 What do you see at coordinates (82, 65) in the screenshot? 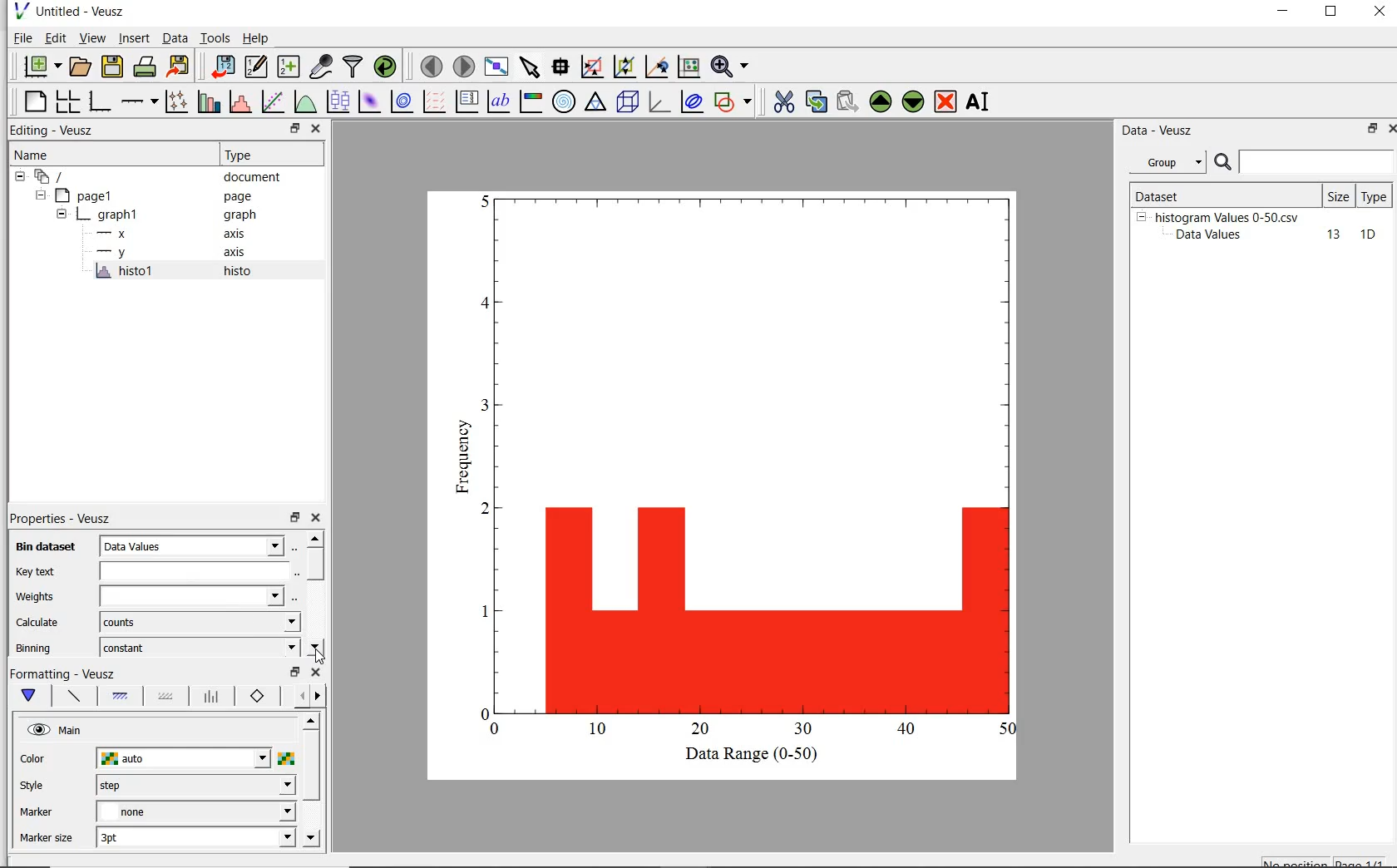
I see `open` at bounding box center [82, 65].